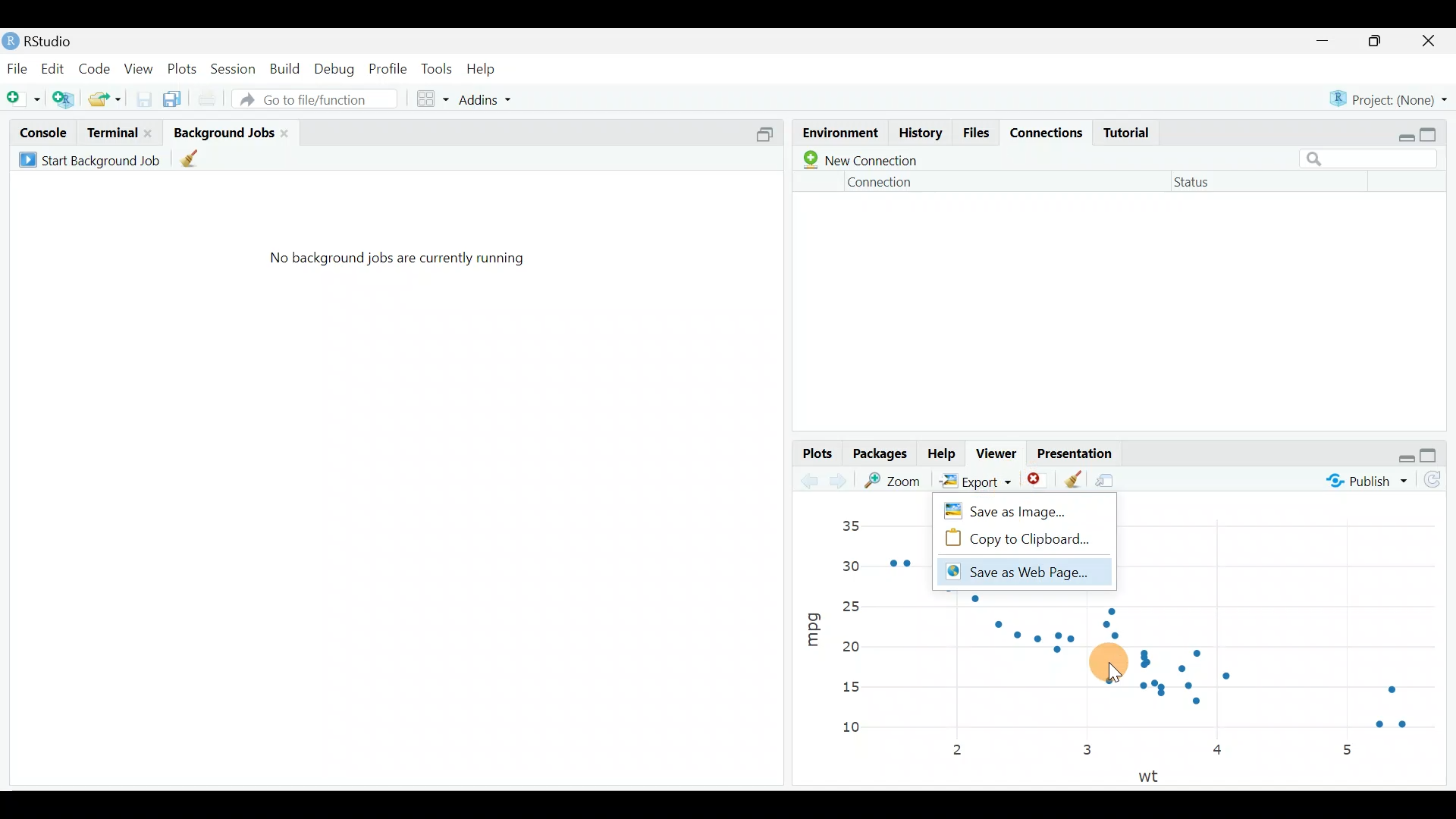 This screenshot has width=1456, height=819. I want to click on Split, so click(764, 137).